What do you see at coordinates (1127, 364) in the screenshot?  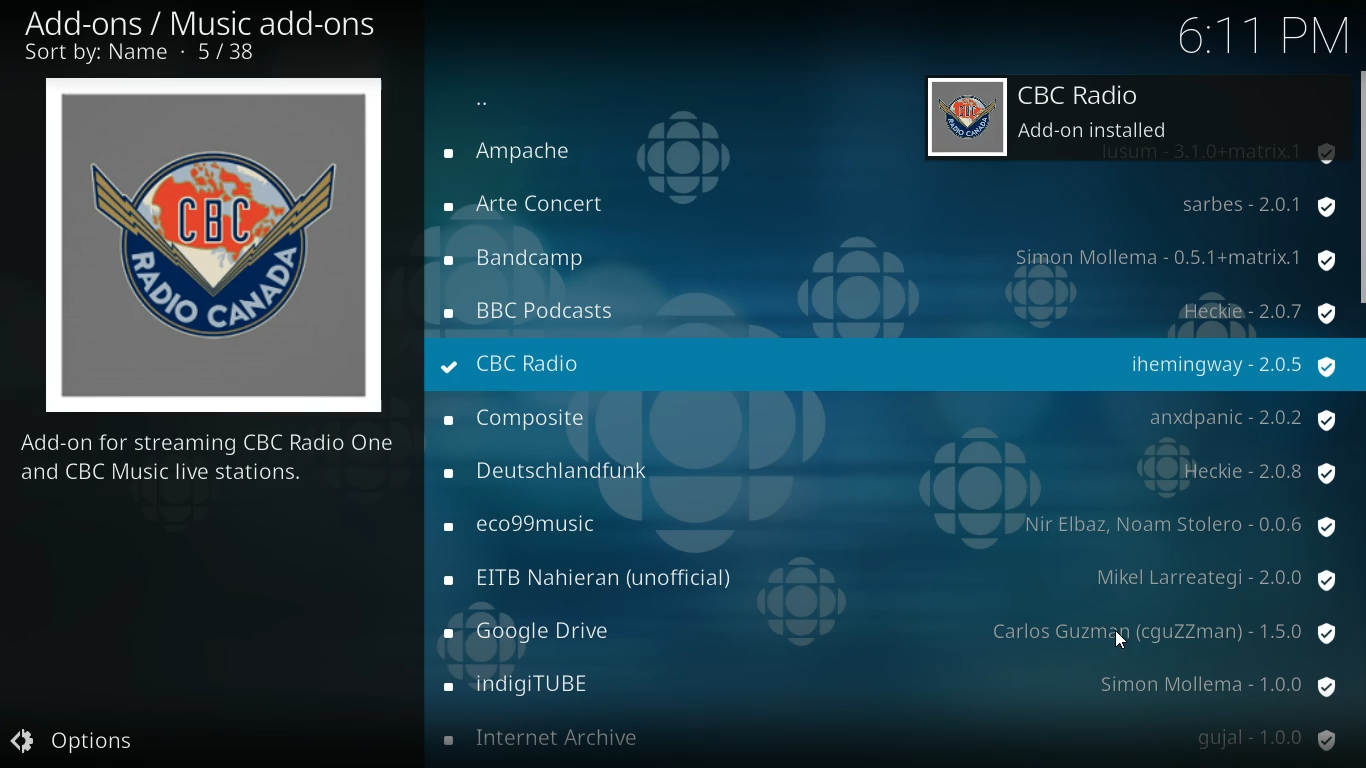 I see `protection` at bounding box center [1127, 364].